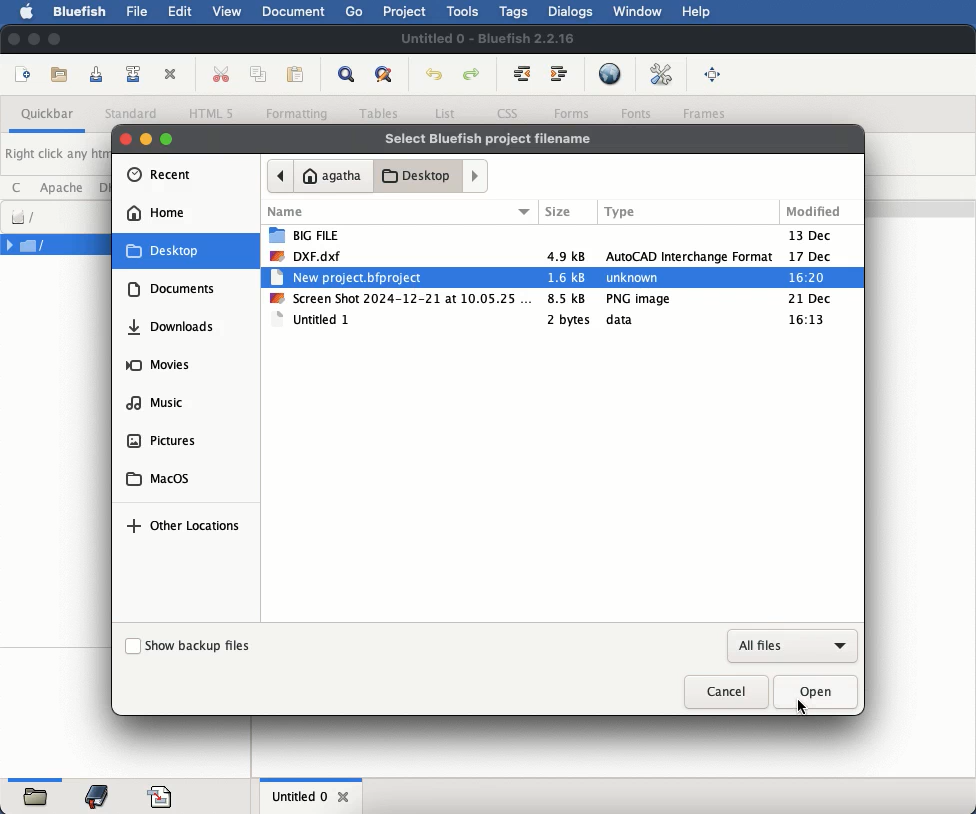 Image resolution: width=976 pixels, height=814 pixels. Describe the element at coordinates (620, 322) in the screenshot. I see `data` at that location.